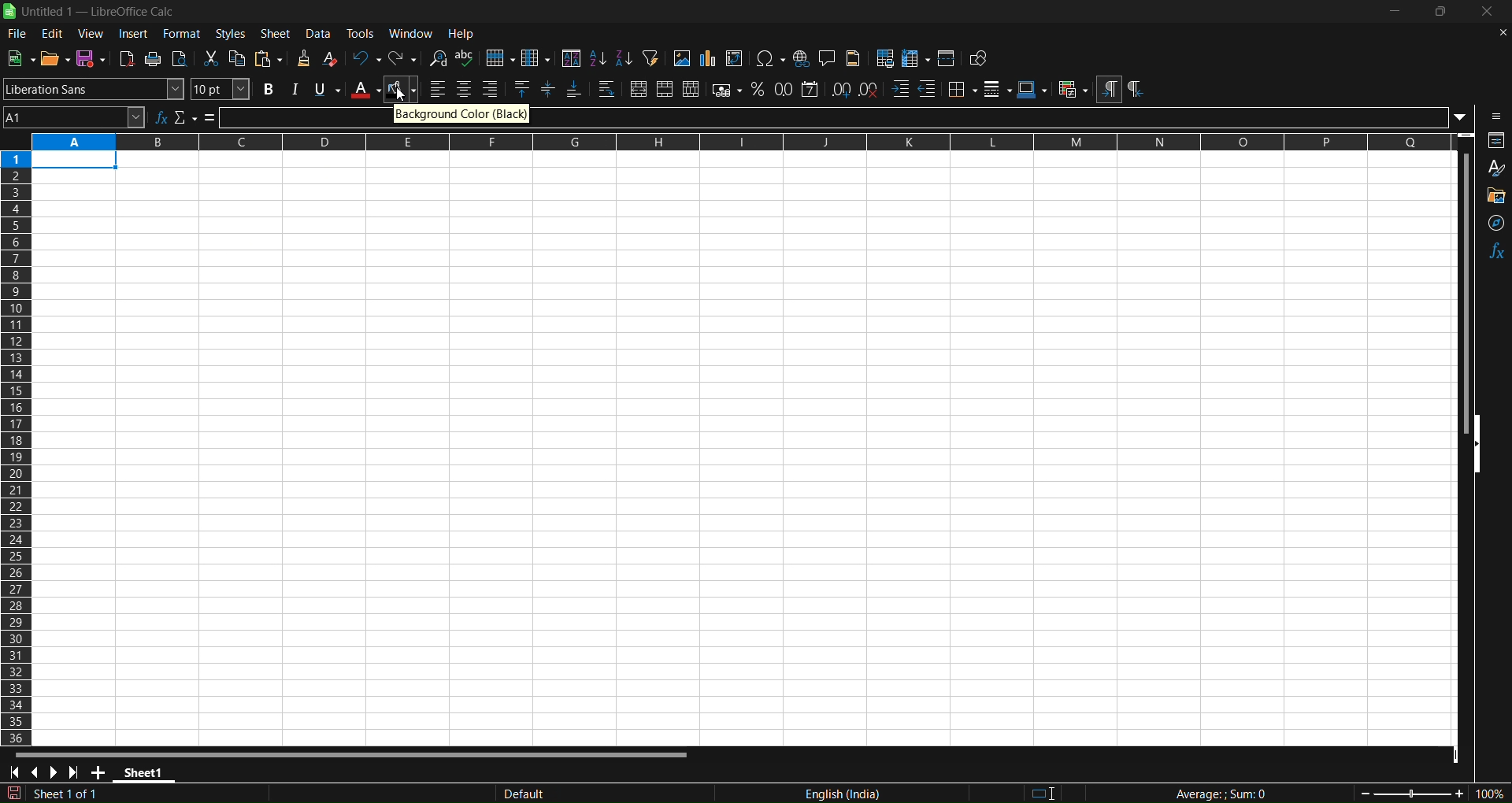 The width and height of the screenshot is (1512, 803). I want to click on edit, so click(53, 33).